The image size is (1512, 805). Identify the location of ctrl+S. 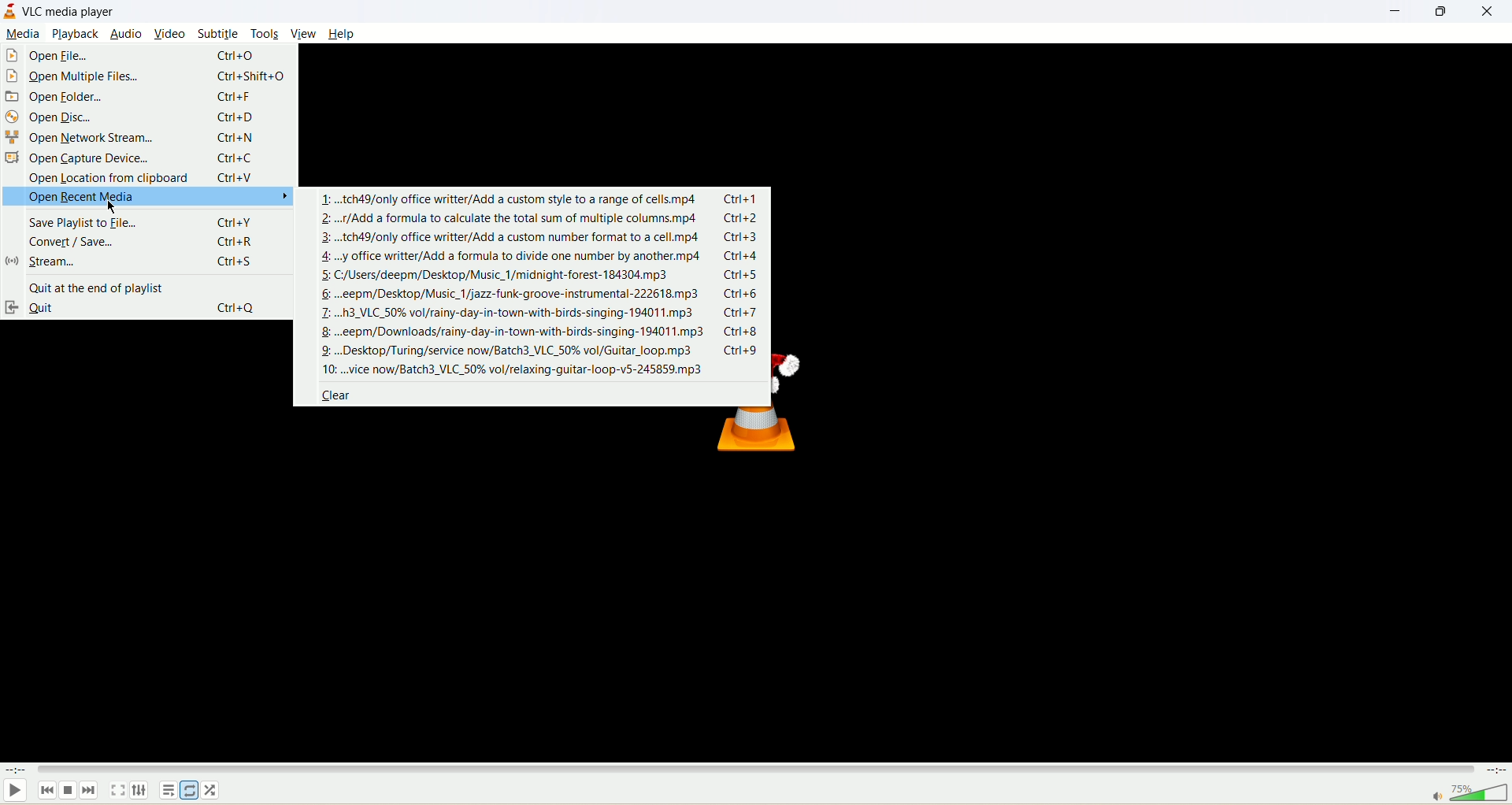
(235, 262).